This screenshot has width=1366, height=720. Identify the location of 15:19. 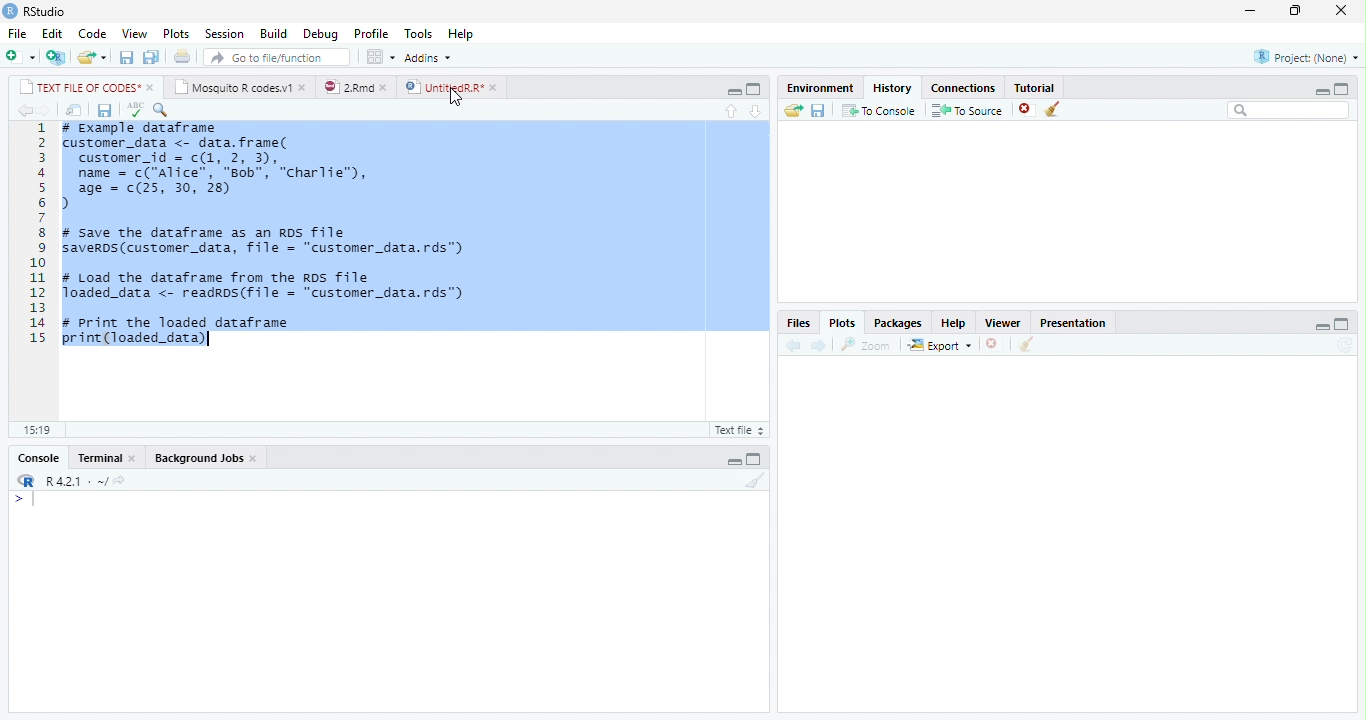
(39, 430).